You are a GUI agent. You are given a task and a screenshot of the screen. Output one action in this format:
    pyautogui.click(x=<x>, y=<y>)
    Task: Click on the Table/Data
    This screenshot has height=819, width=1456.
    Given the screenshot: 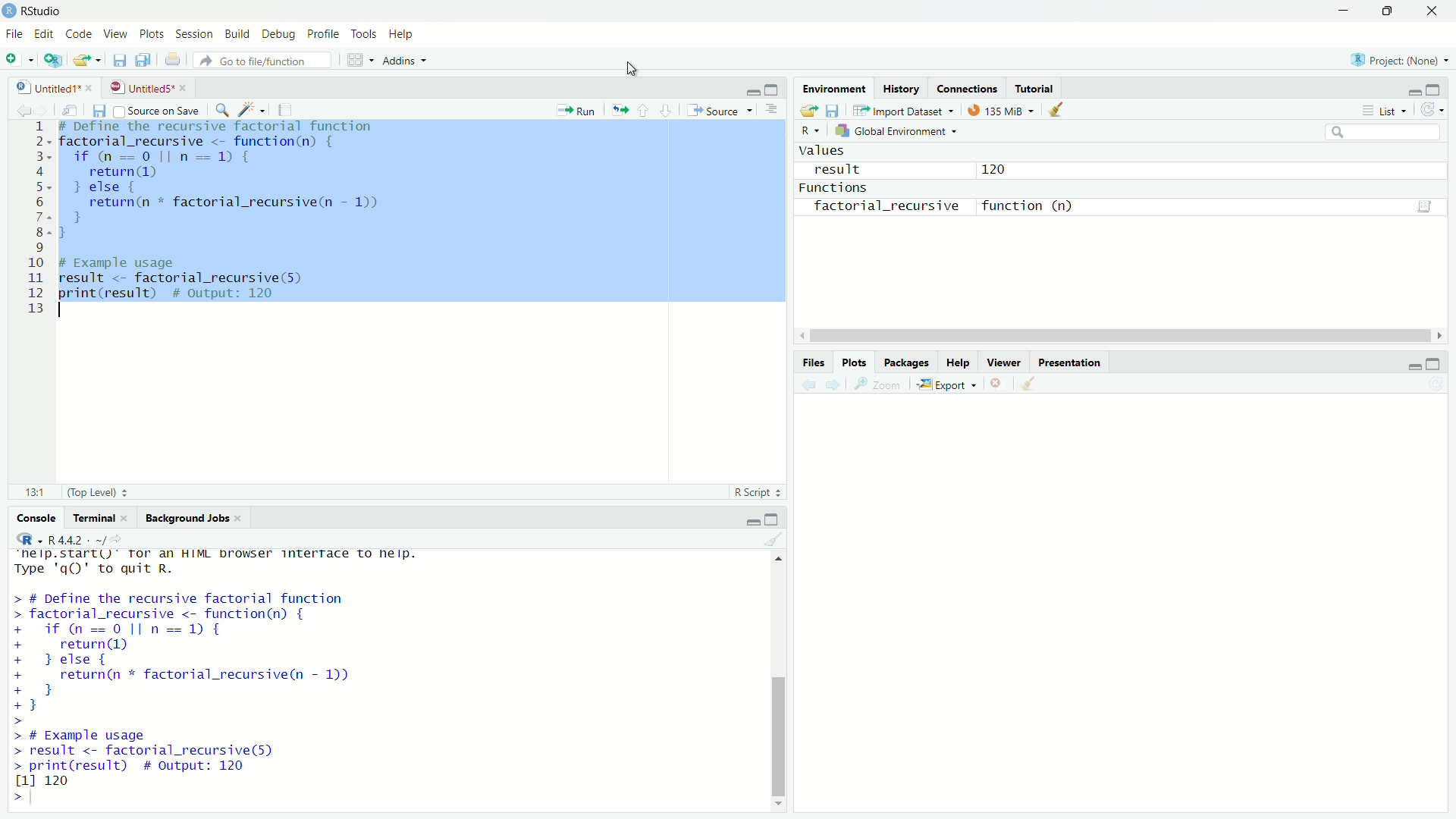 What is the action you would take?
    pyautogui.click(x=1425, y=206)
    